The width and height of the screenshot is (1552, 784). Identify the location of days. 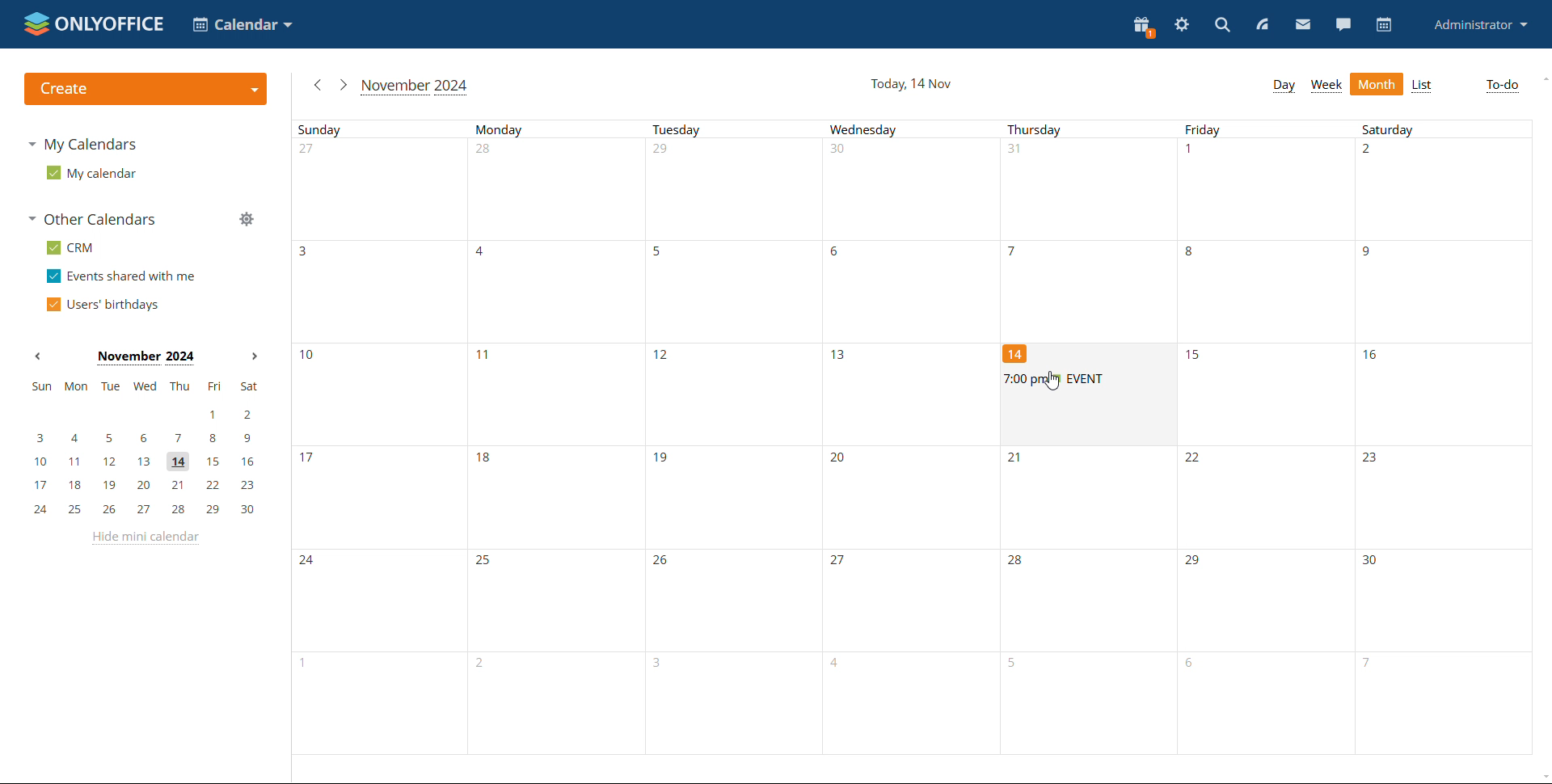
(912, 130).